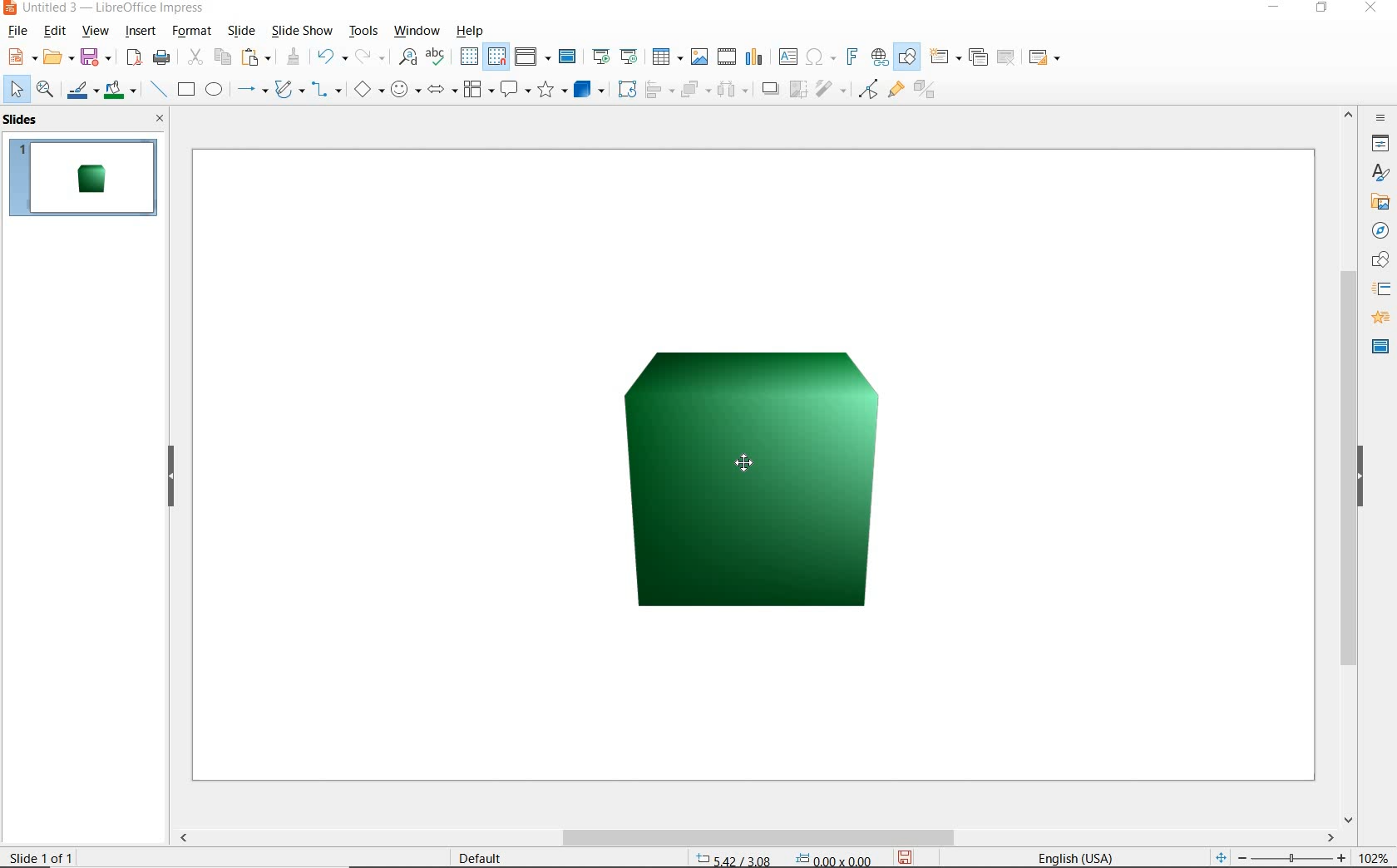 The image size is (1397, 868). What do you see at coordinates (1382, 293) in the screenshot?
I see `SSLIDE TRANSITION` at bounding box center [1382, 293].